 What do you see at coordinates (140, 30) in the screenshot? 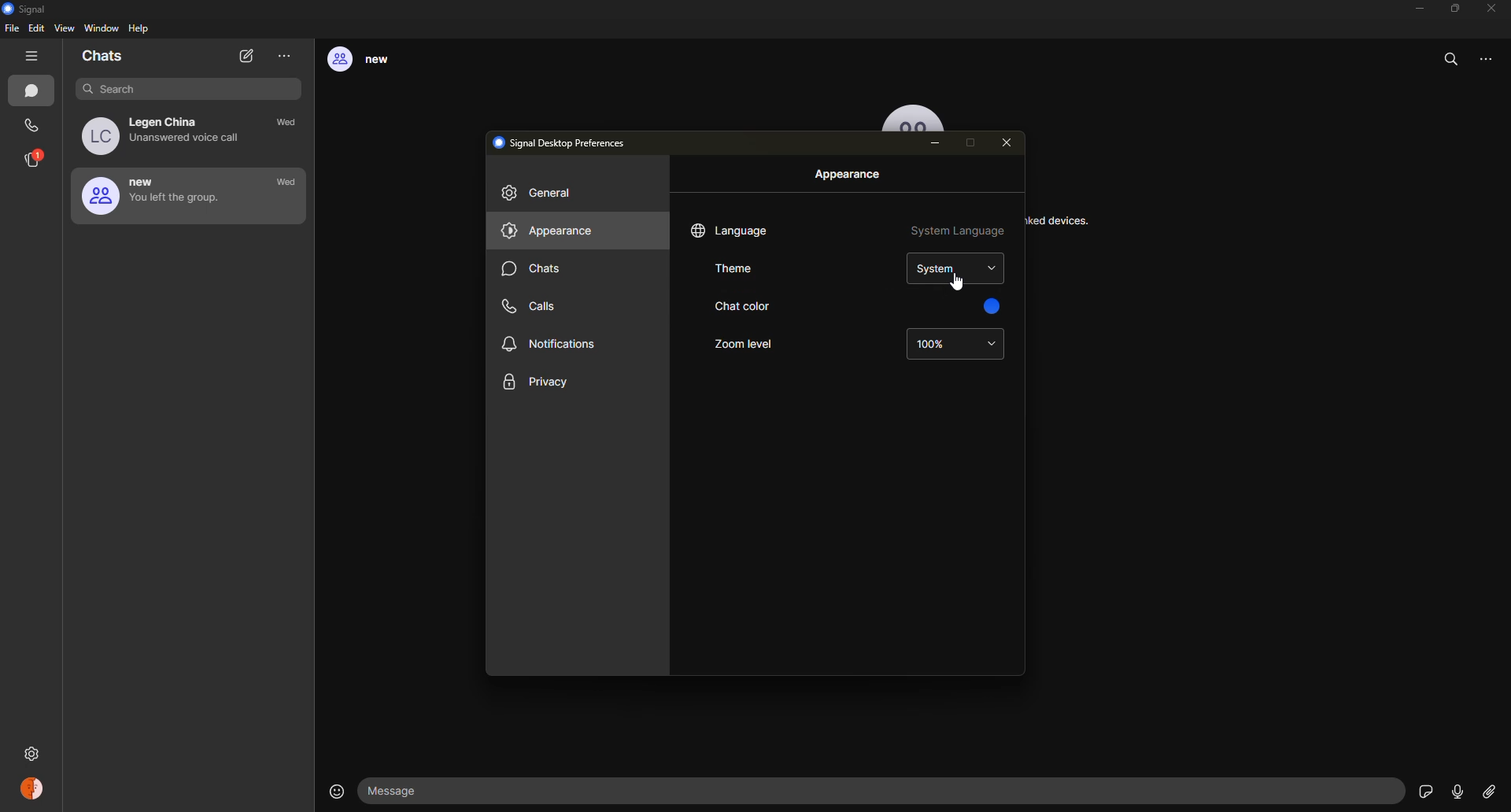
I see `help` at bounding box center [140, 30].